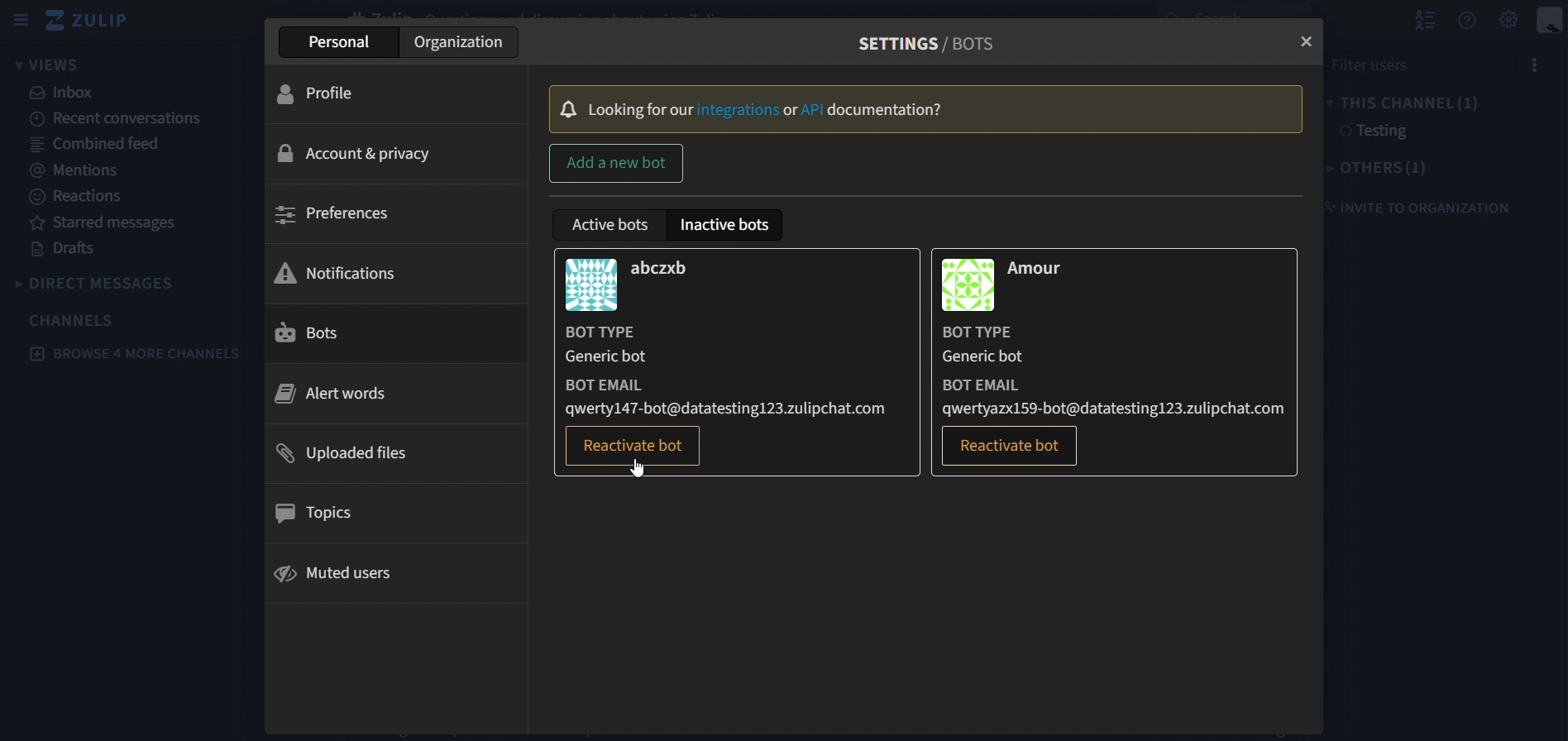  I want to click on image, so click(968, 284).